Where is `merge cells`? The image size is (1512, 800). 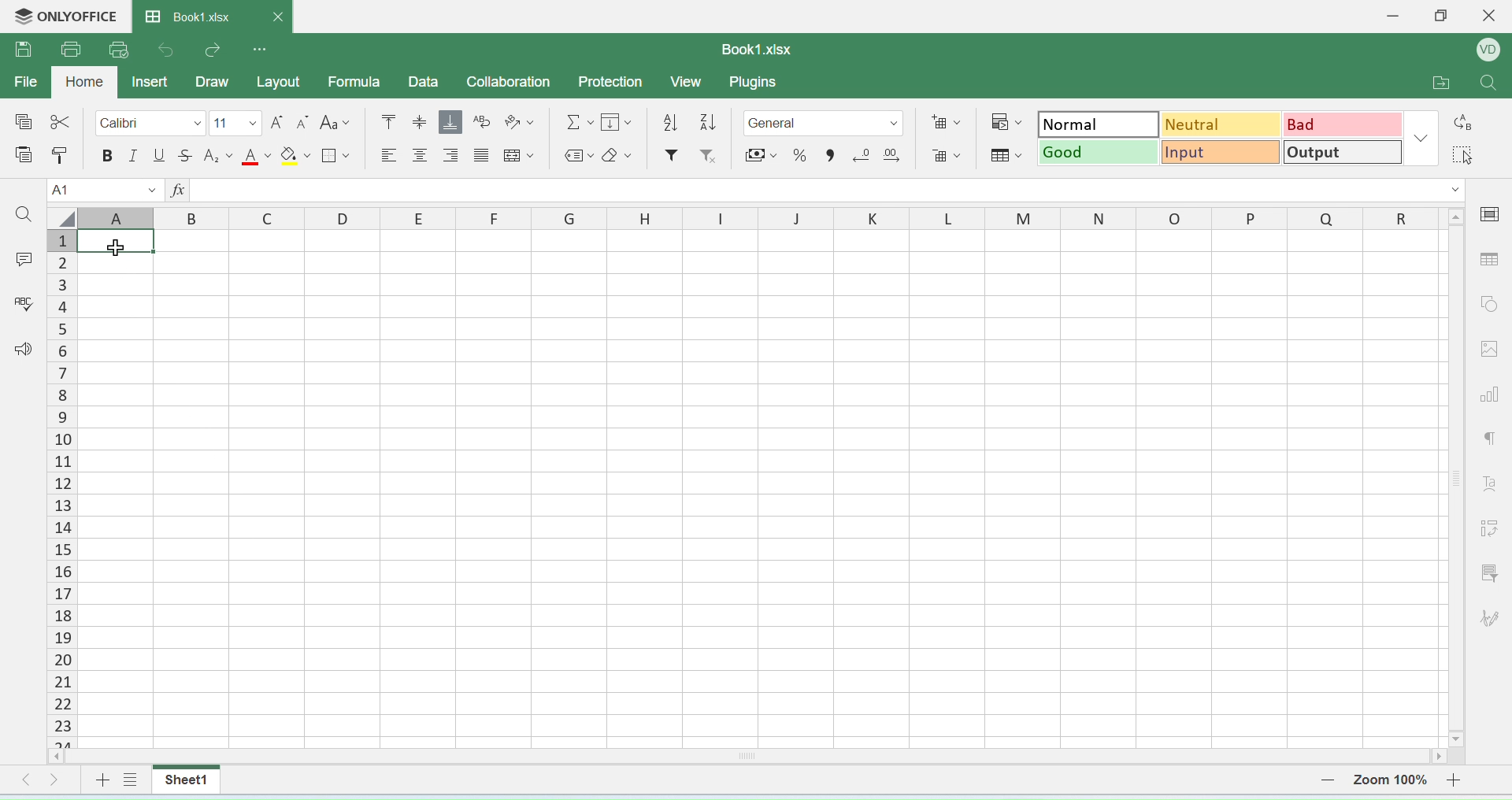
merge cells is located at coordinates (518, 157).